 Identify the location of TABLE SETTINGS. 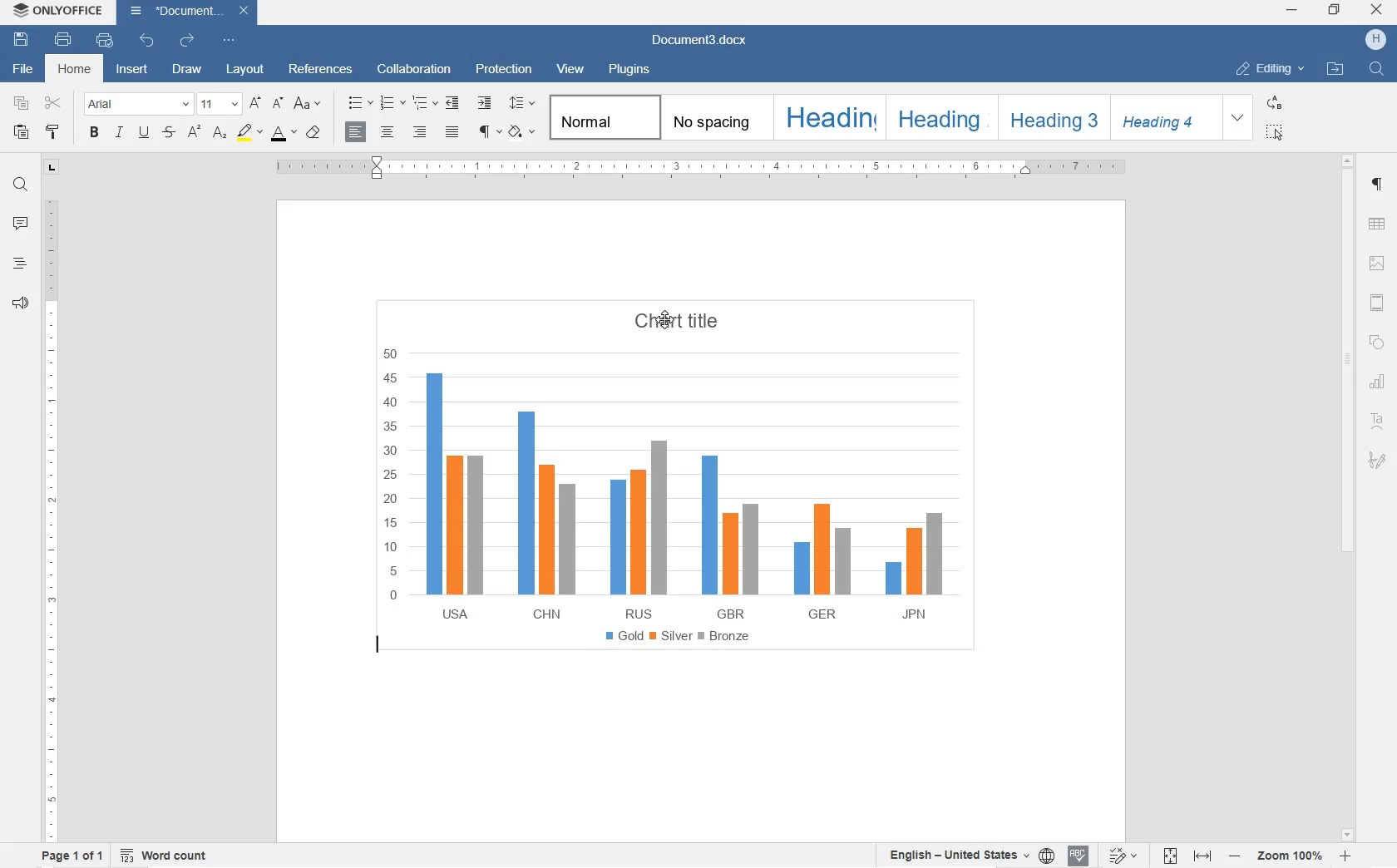
(1377, 224).